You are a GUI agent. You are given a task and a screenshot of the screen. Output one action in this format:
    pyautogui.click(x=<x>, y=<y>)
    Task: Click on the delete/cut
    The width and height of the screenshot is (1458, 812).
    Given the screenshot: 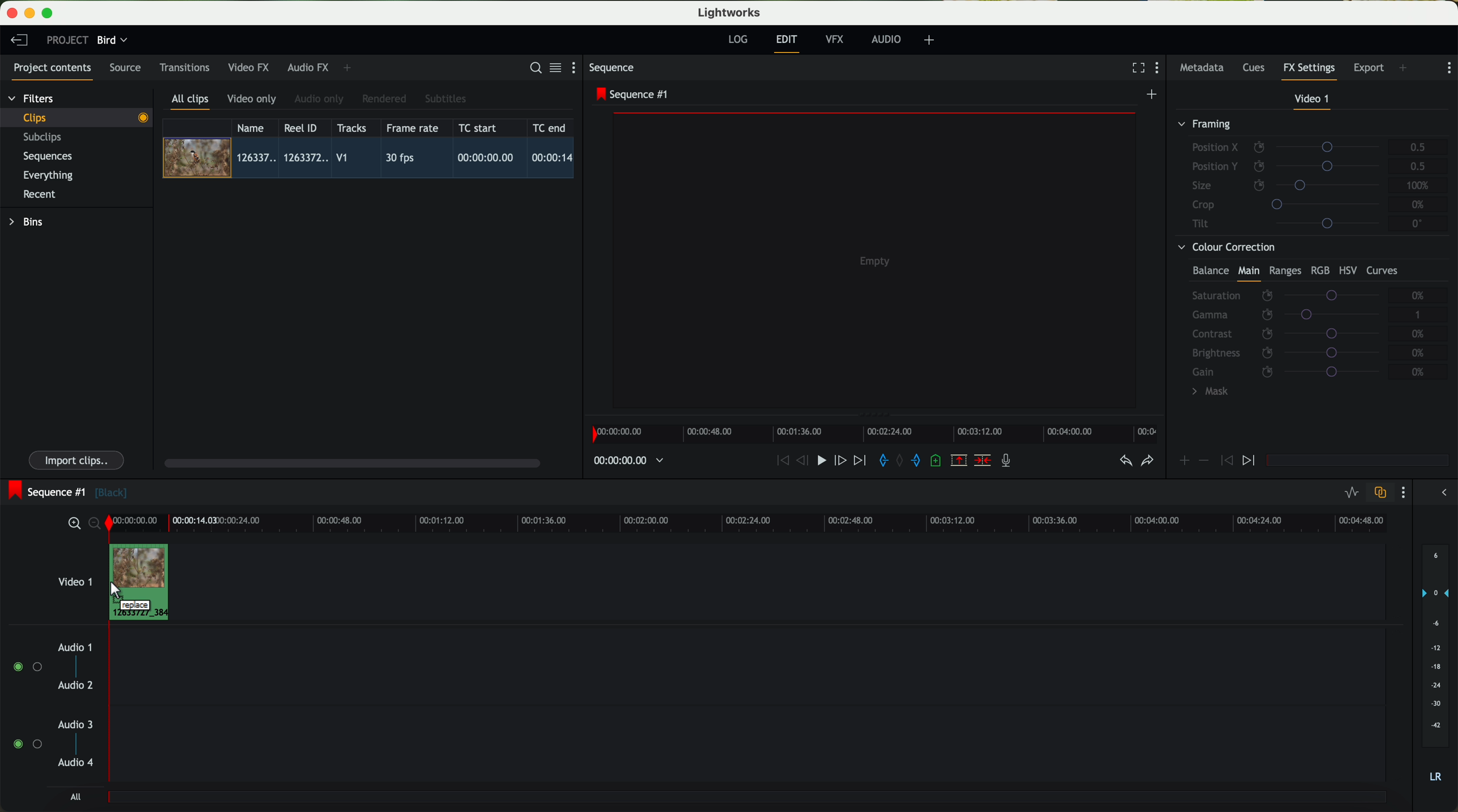 What is the action you would take?
    pyautogui.click(x=983, y=461)
    